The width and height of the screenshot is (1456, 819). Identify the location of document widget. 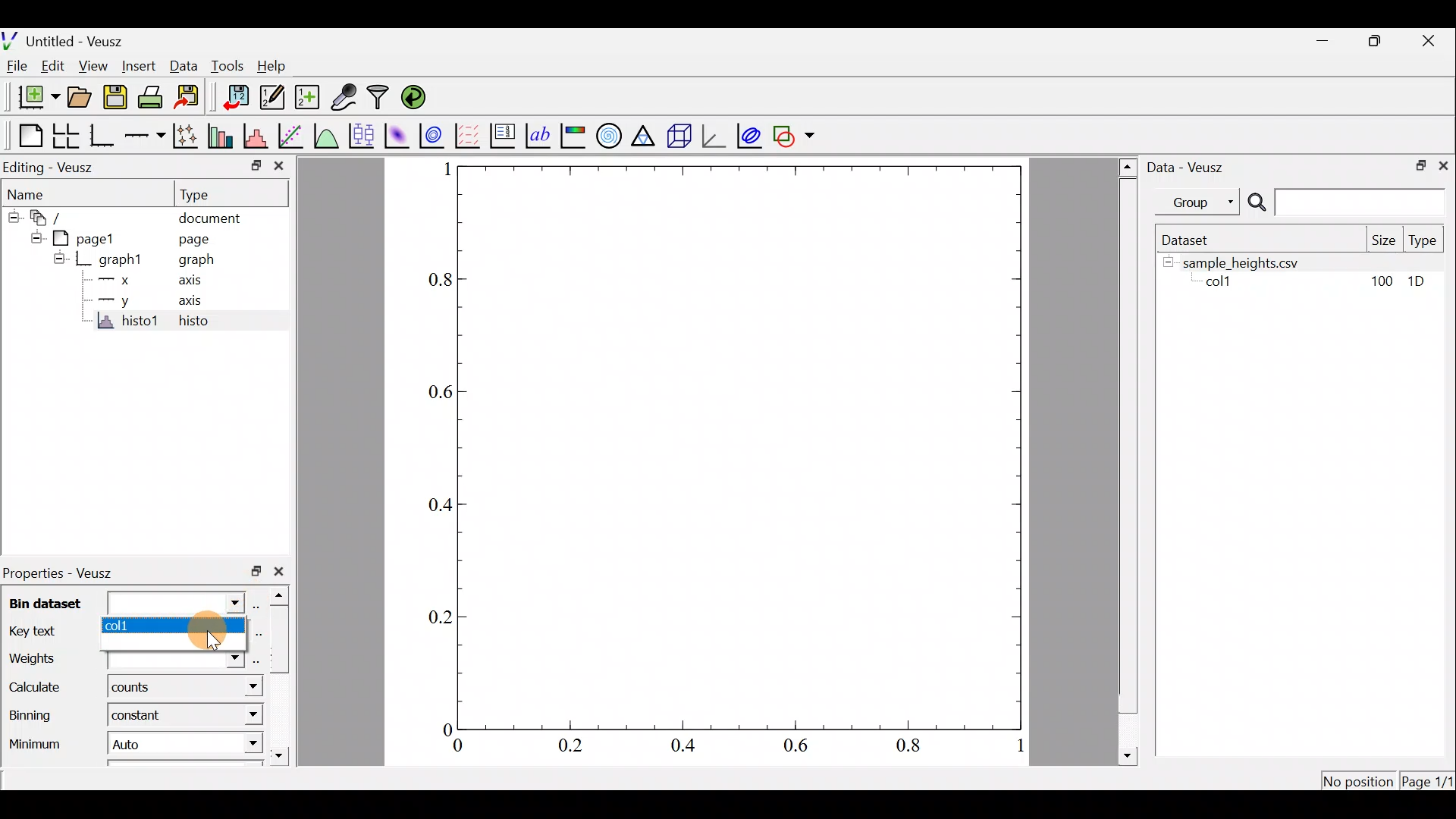
(49, 219).